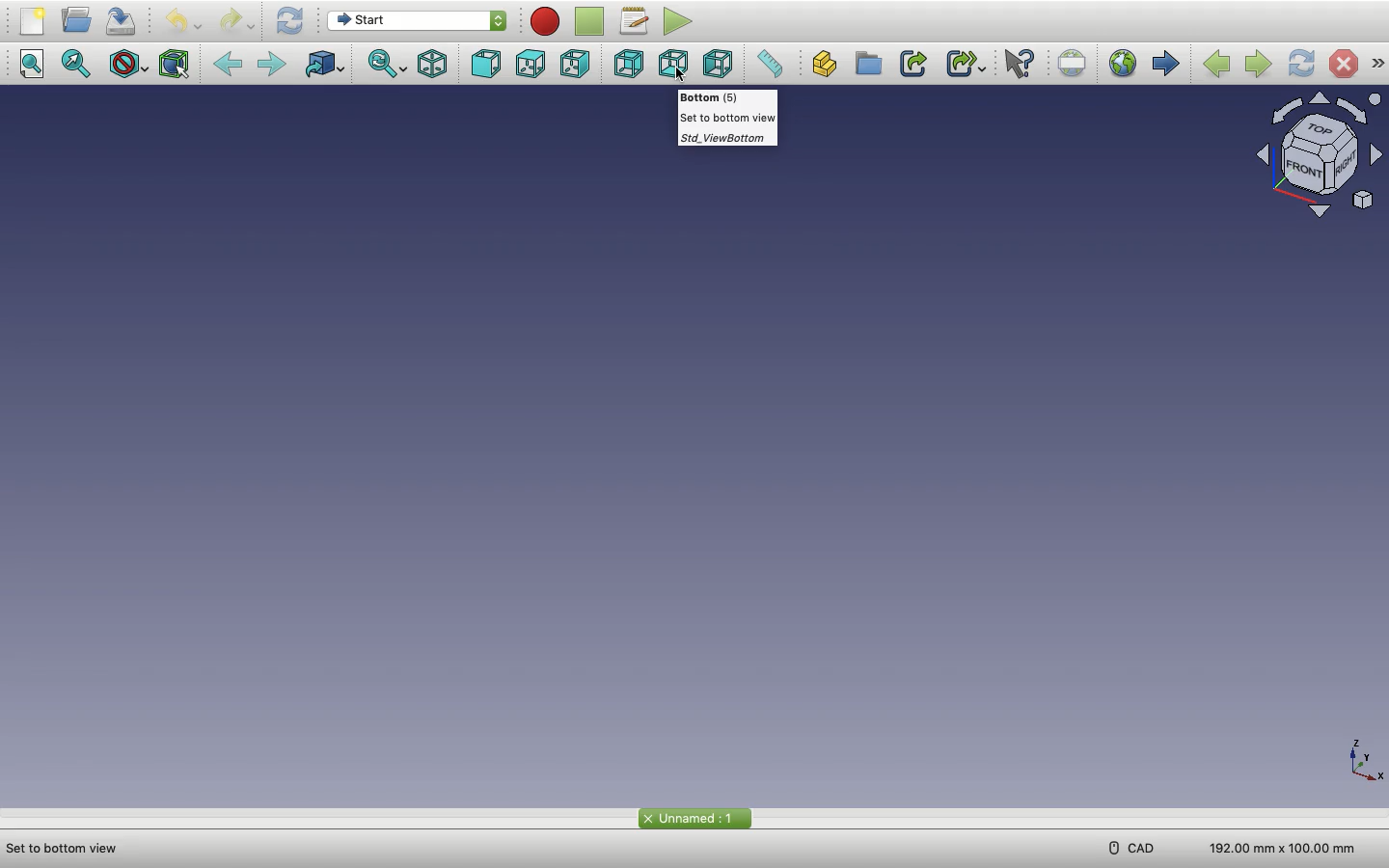 This screenshot has height=868, width=1389. What do you see at coordinates (828, 66) in the screenshot?
I see `Create part` at bounding box center [828, 66].